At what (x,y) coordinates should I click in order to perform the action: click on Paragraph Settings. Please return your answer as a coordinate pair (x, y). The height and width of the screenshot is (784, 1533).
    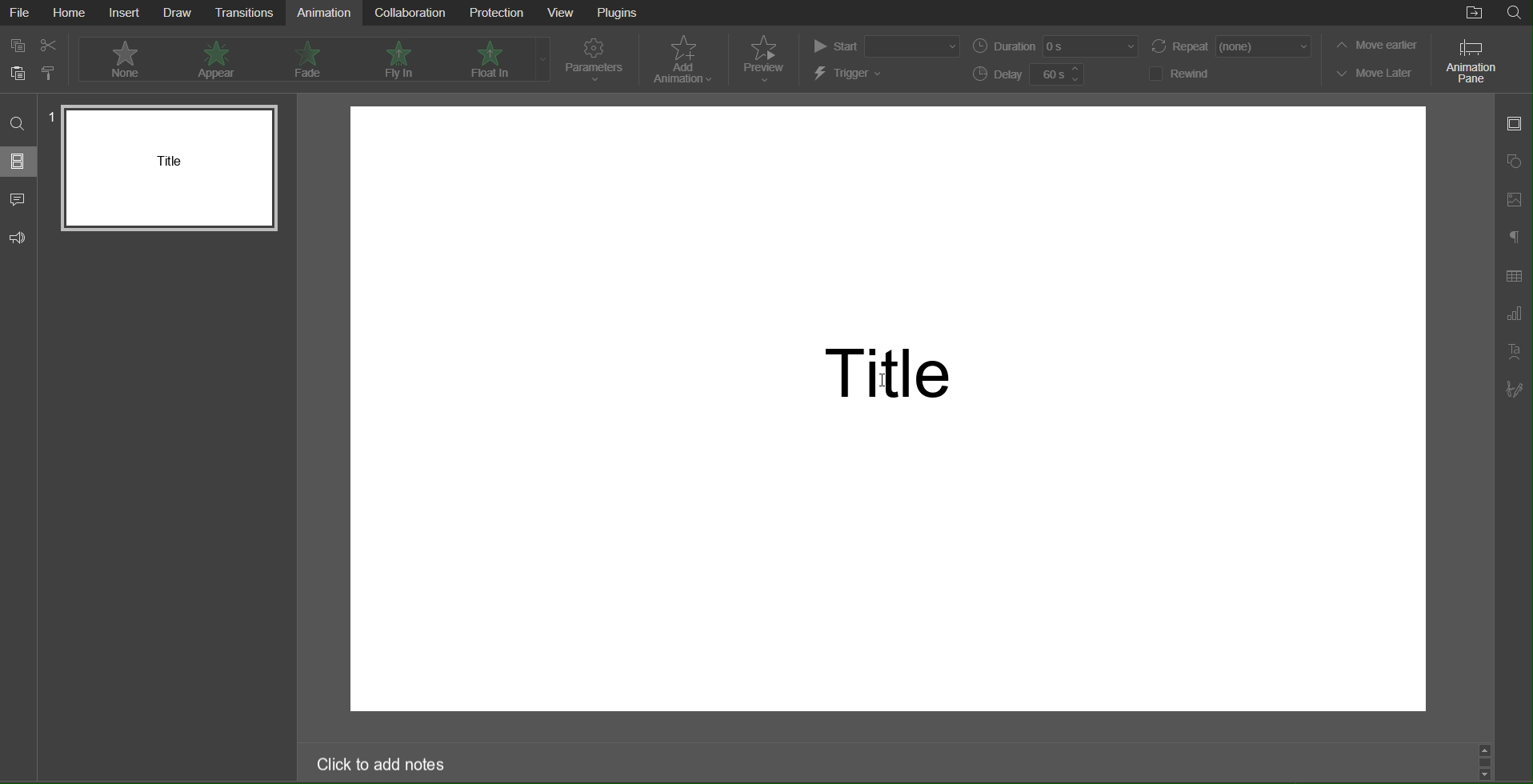
    Looking at the image, I should click on (1514, 237).